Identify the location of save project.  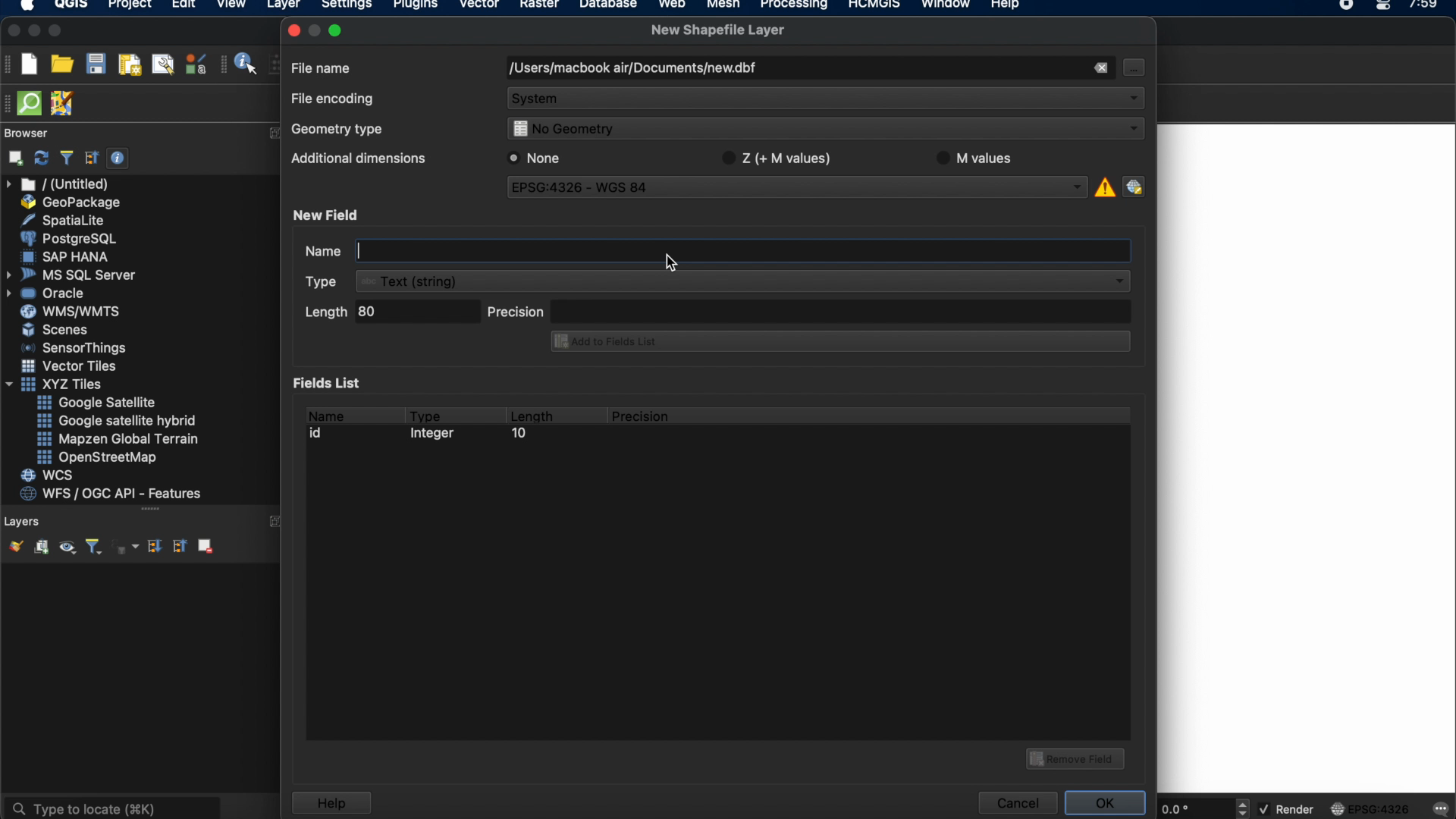
(95, 64).